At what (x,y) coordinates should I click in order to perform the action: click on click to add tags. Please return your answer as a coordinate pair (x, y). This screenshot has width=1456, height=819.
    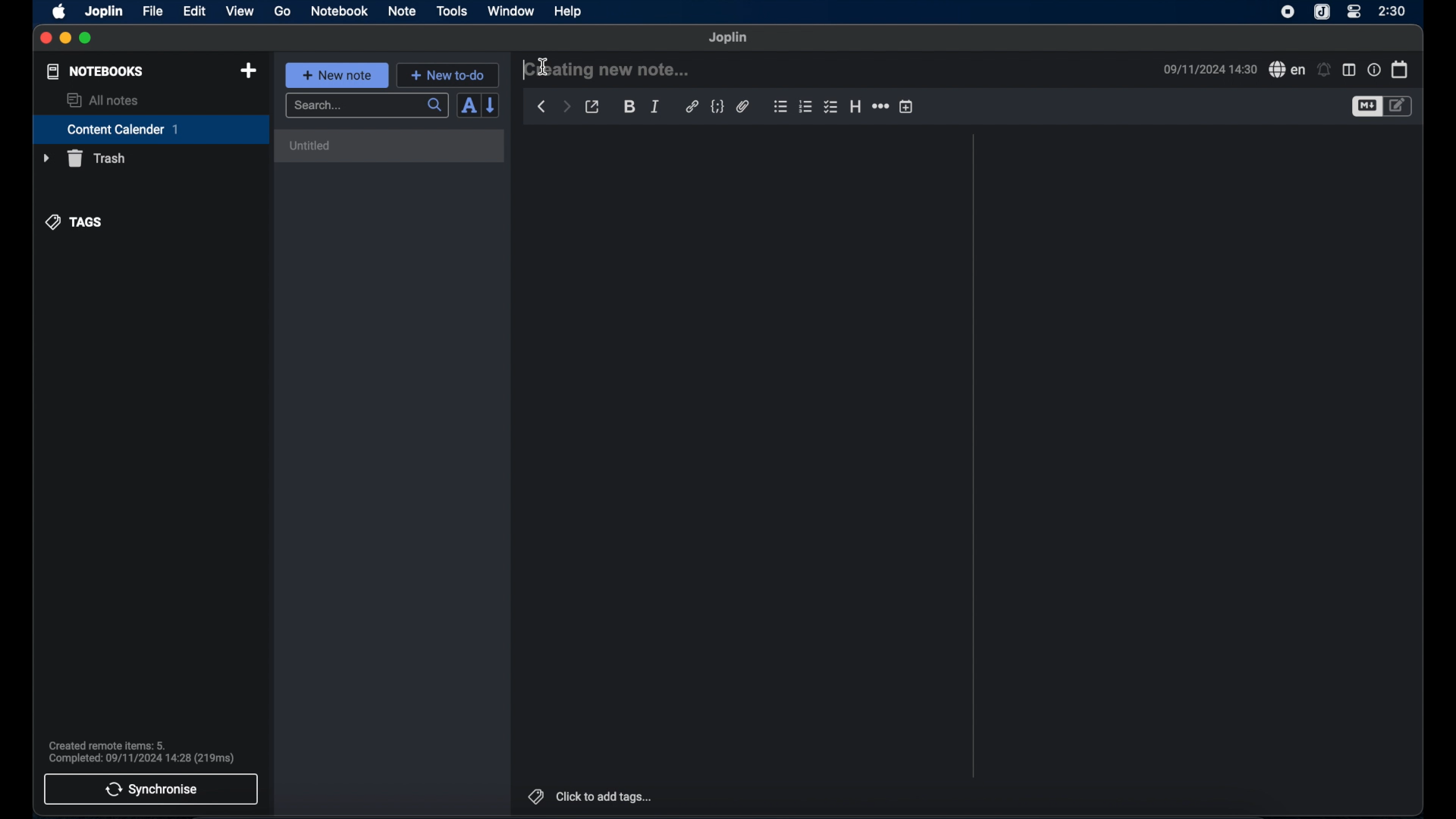
    Looking at the image, I should click on (591, 796).